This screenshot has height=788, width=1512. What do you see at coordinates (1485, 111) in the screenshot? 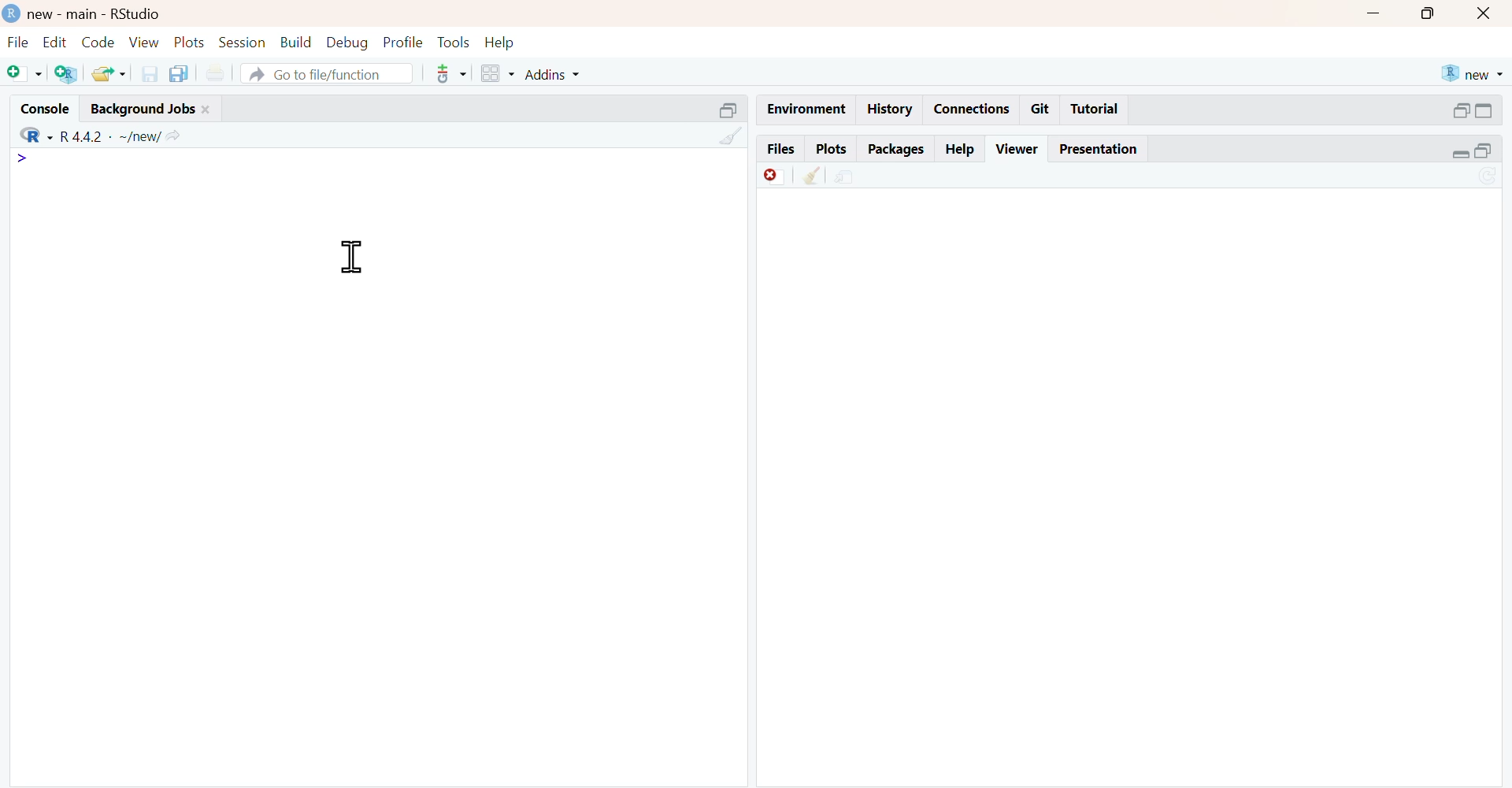
I see `expand/collapse` at bounding box center [1485, 111].